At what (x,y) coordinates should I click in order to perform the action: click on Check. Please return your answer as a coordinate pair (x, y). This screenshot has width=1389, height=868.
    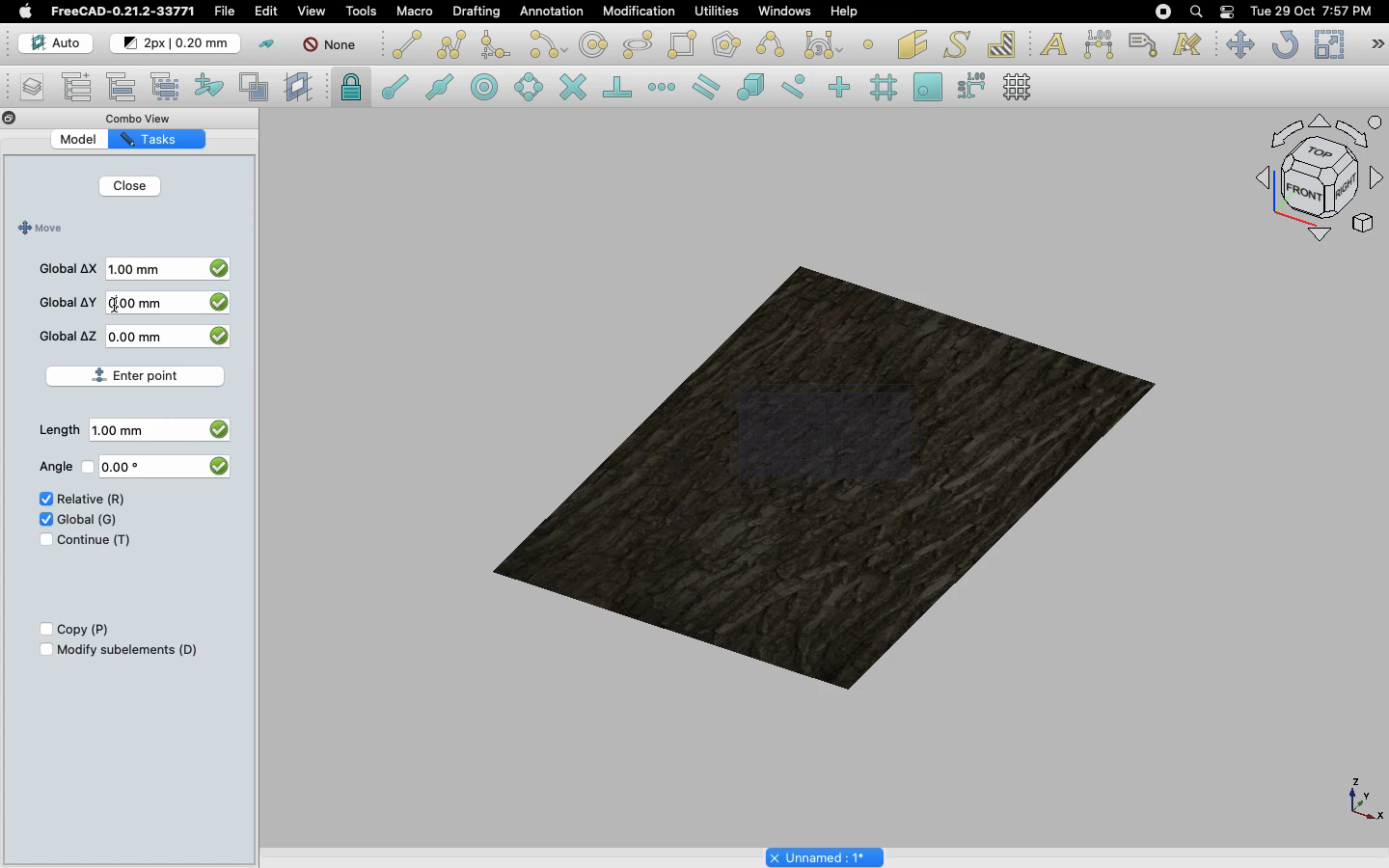
    Looking at the image, I should click on (44, 518).